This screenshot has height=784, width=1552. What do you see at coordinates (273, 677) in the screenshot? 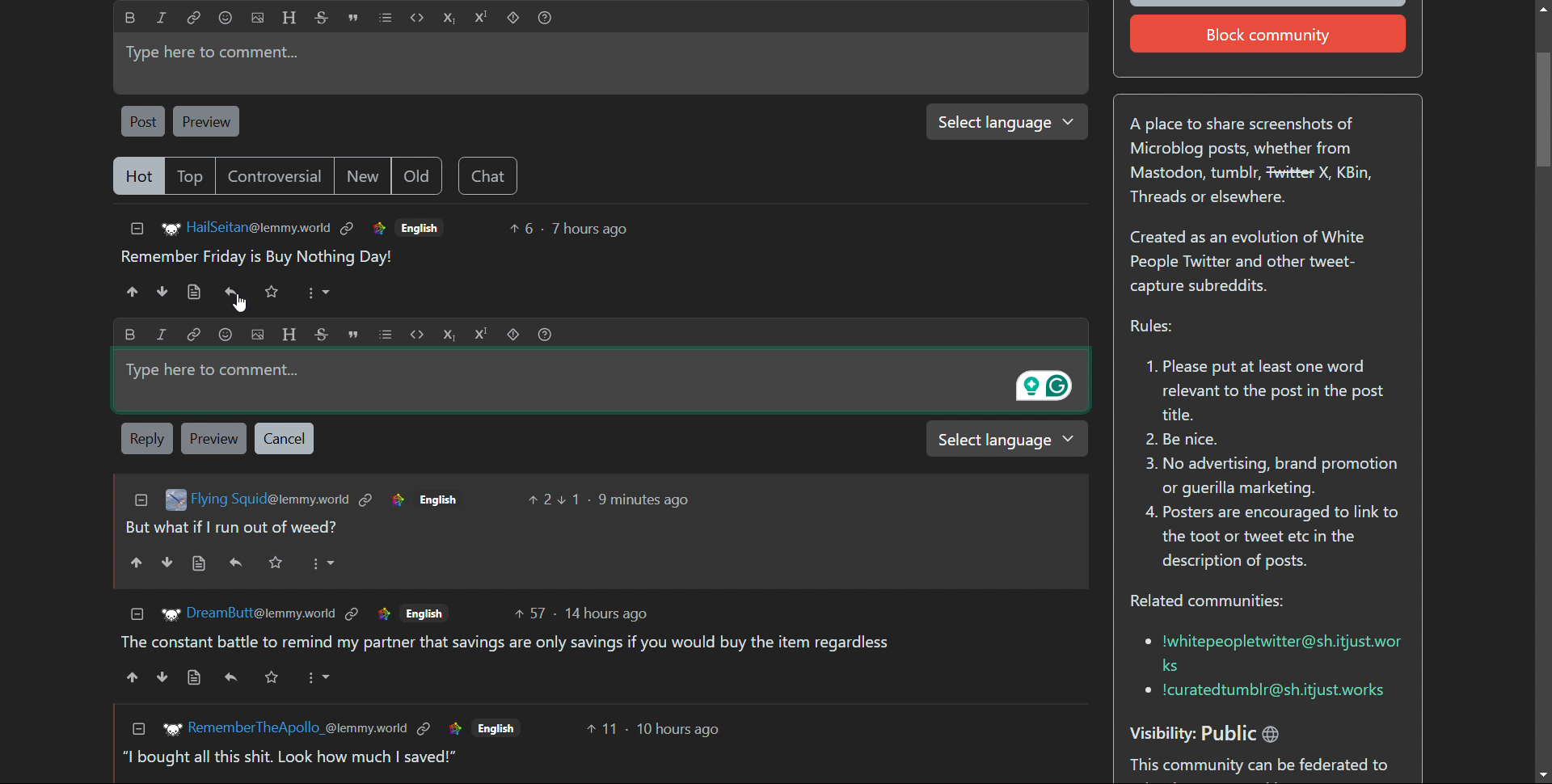
I see `Favorite` at bounding box center [273, 677].